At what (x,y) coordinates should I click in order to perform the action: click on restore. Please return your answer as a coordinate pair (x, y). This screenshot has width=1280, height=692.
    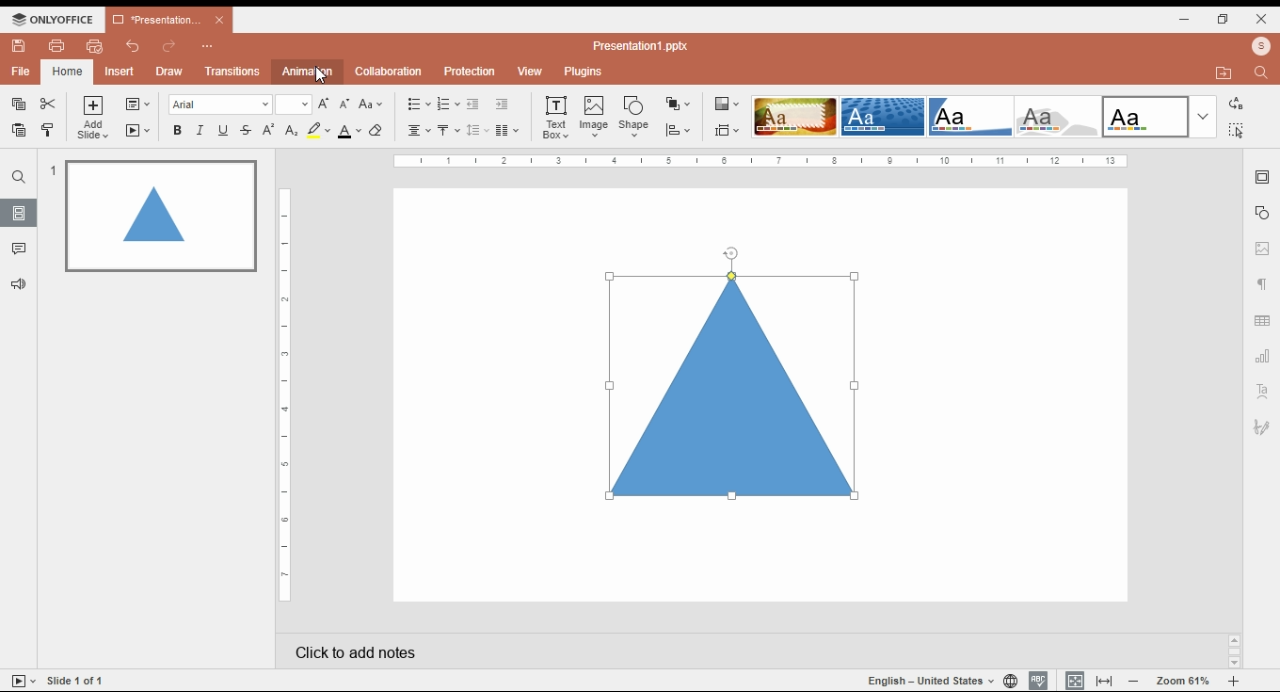
    Looking at the image, I should click on (1224, 19).